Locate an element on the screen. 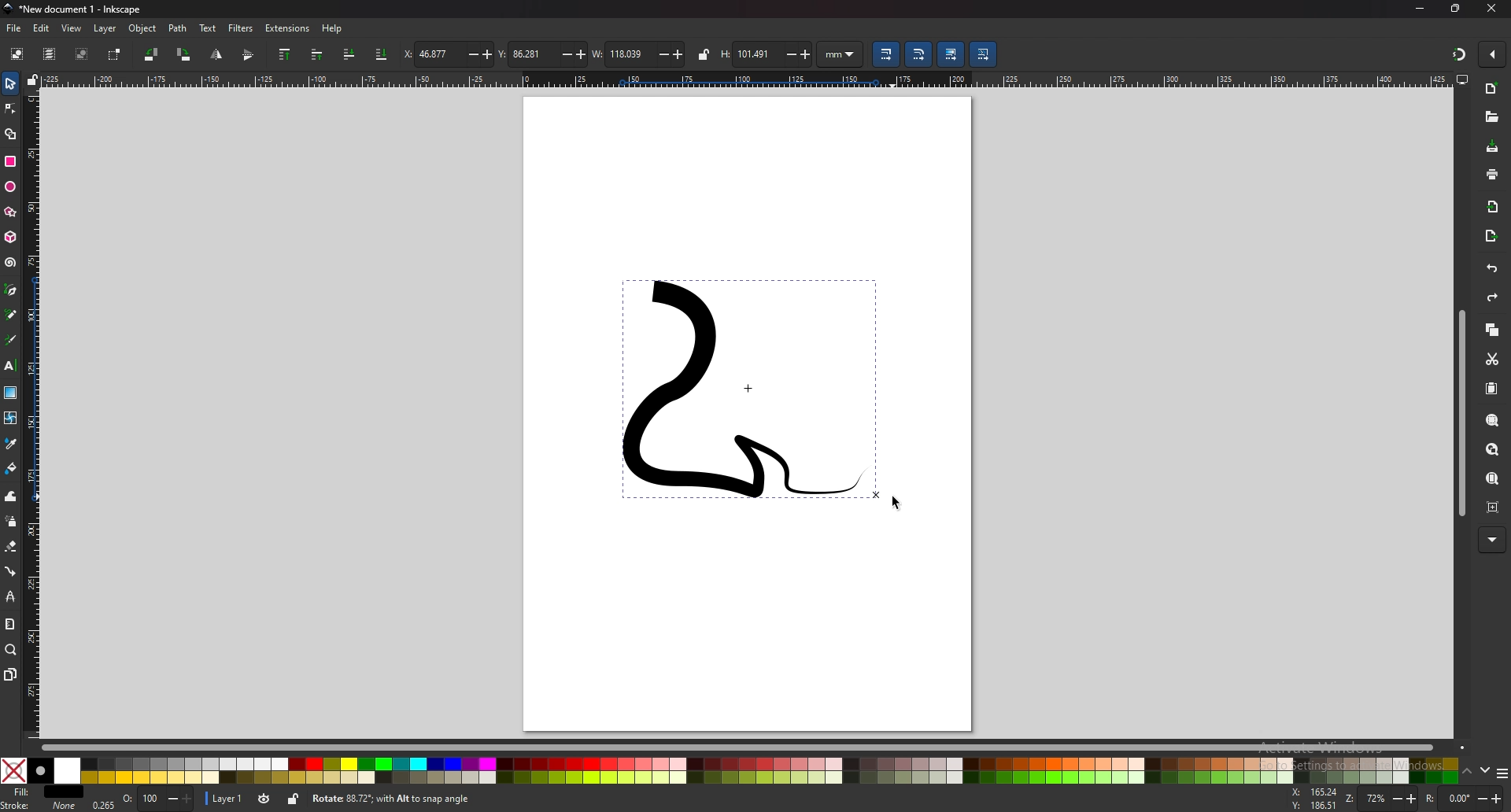 The height and width of the screenshot is (812, 1511). paste is located at coordinates (1493, 389).